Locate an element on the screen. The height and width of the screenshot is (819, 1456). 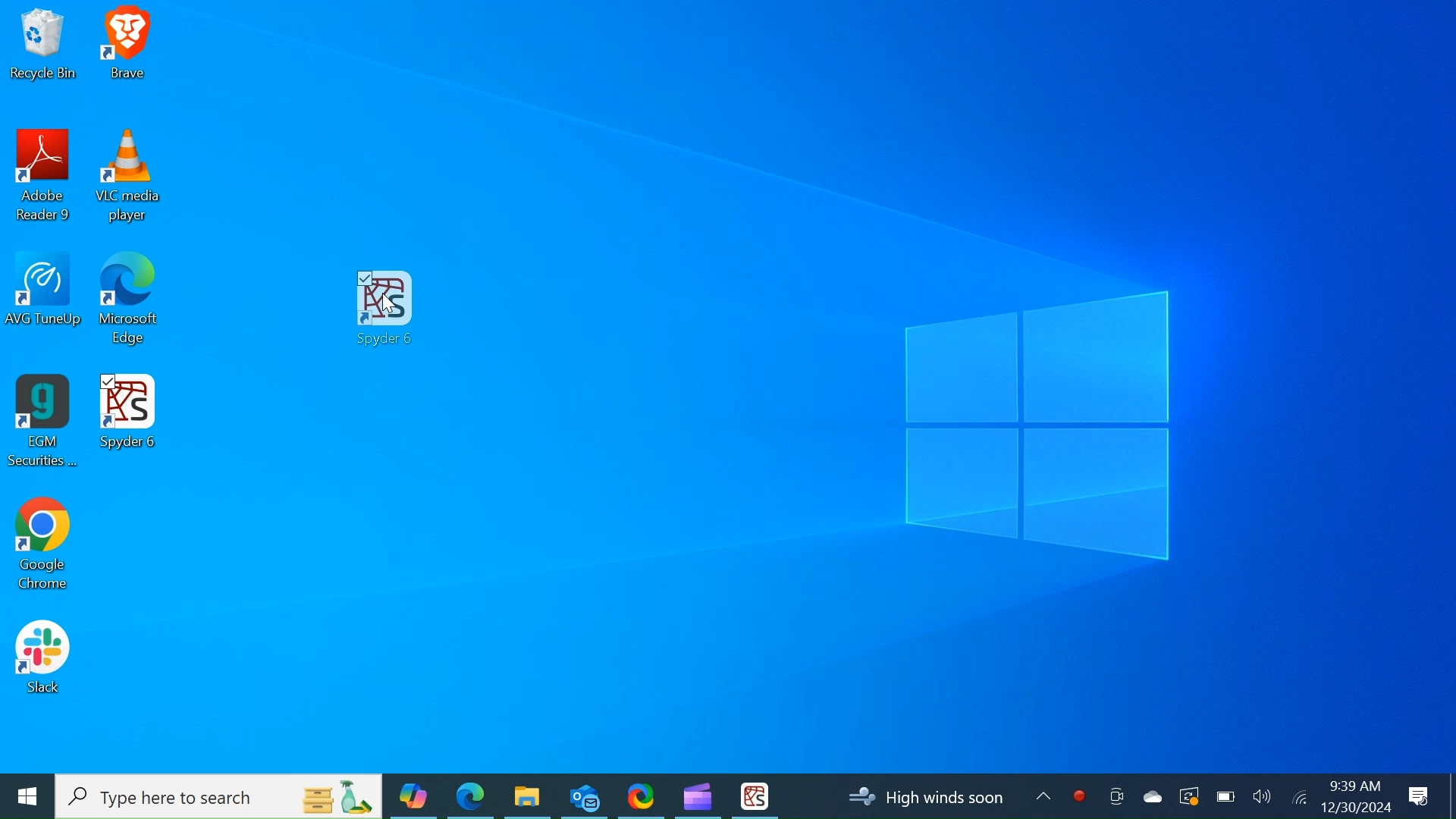
EGM Securities Desktop Icon is located at coordinates (42, 422).